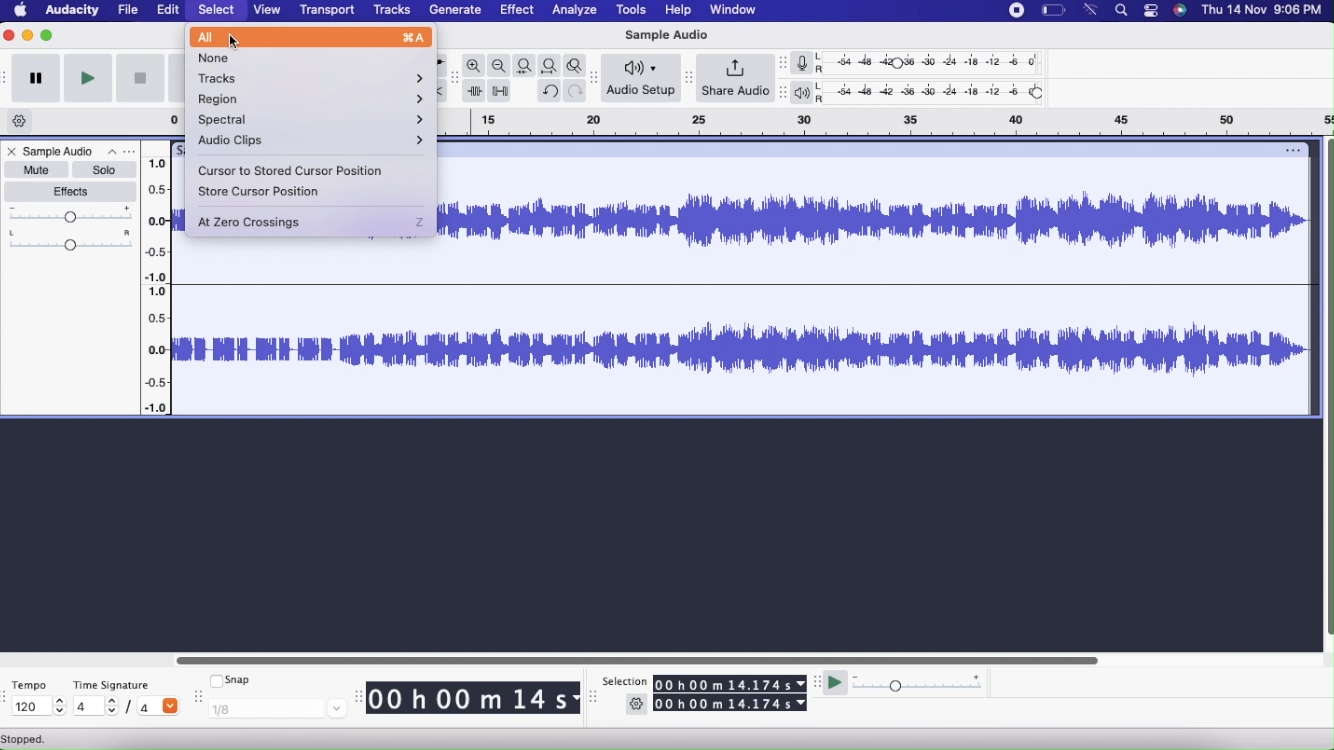 The image size is (1334, 750). What do you see at coordinates (12, 152) in the screenshot?
I see `Close` at bounding box center [12, 152].